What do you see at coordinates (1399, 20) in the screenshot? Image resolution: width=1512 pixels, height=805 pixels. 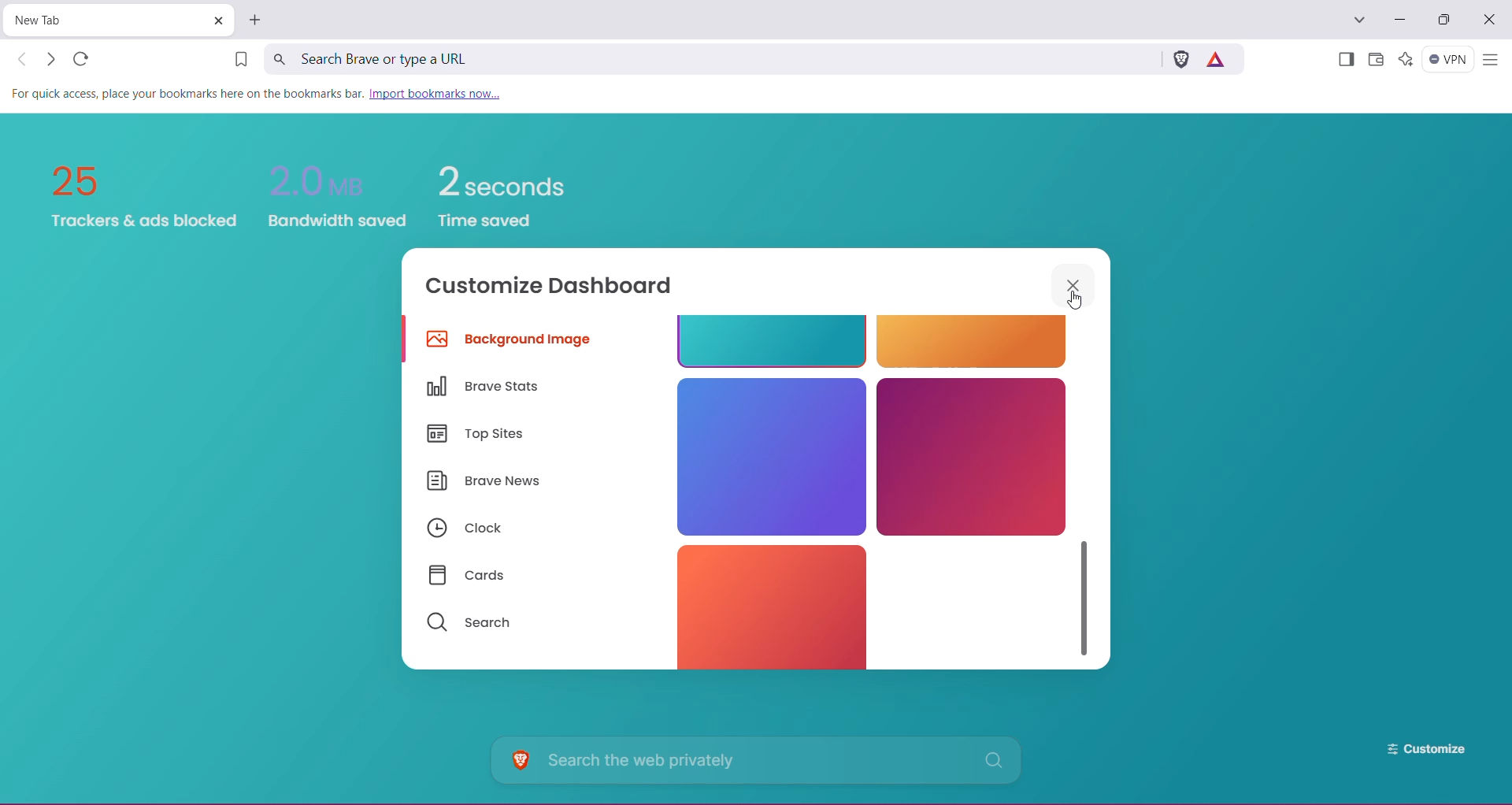 I see `Minimize` at bounding box center [1399, 20].